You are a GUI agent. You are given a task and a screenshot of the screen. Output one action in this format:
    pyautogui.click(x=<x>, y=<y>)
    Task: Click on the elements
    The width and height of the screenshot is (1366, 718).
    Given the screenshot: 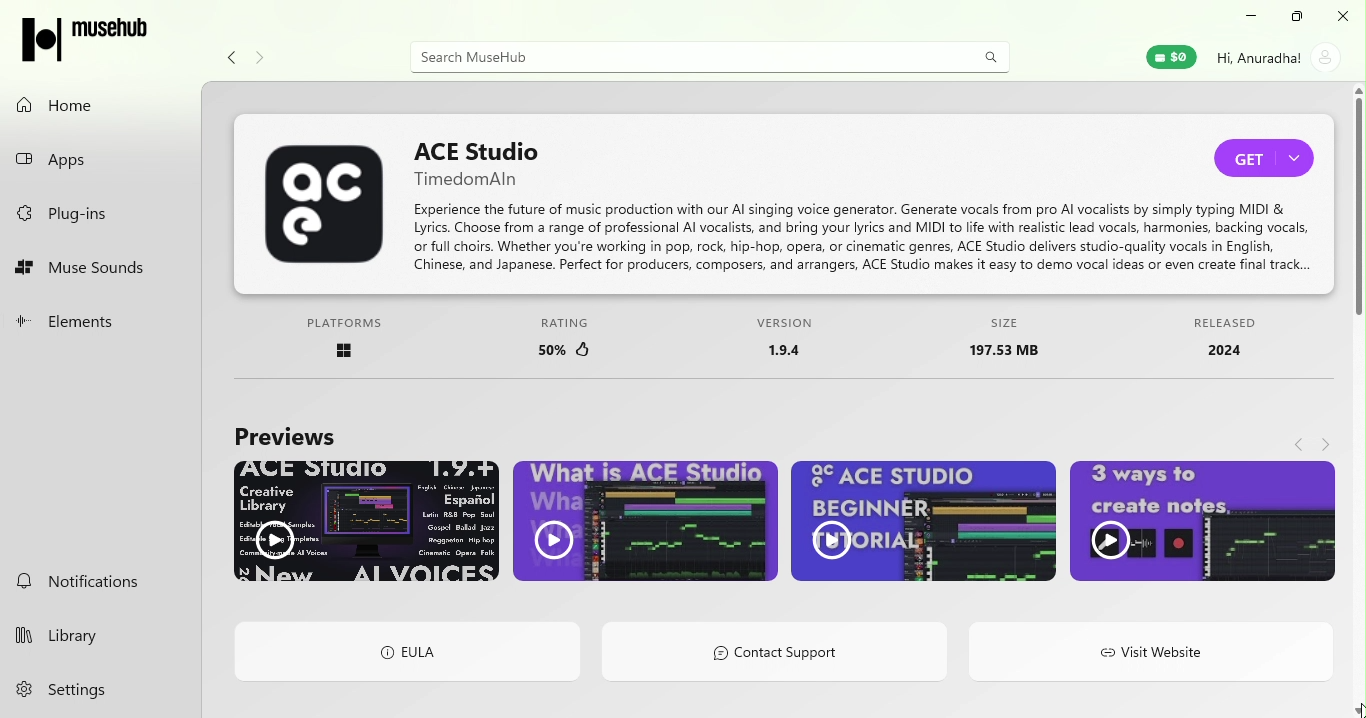 What is the action you would take?
    pyautogui.click(x=104, y=321)
    